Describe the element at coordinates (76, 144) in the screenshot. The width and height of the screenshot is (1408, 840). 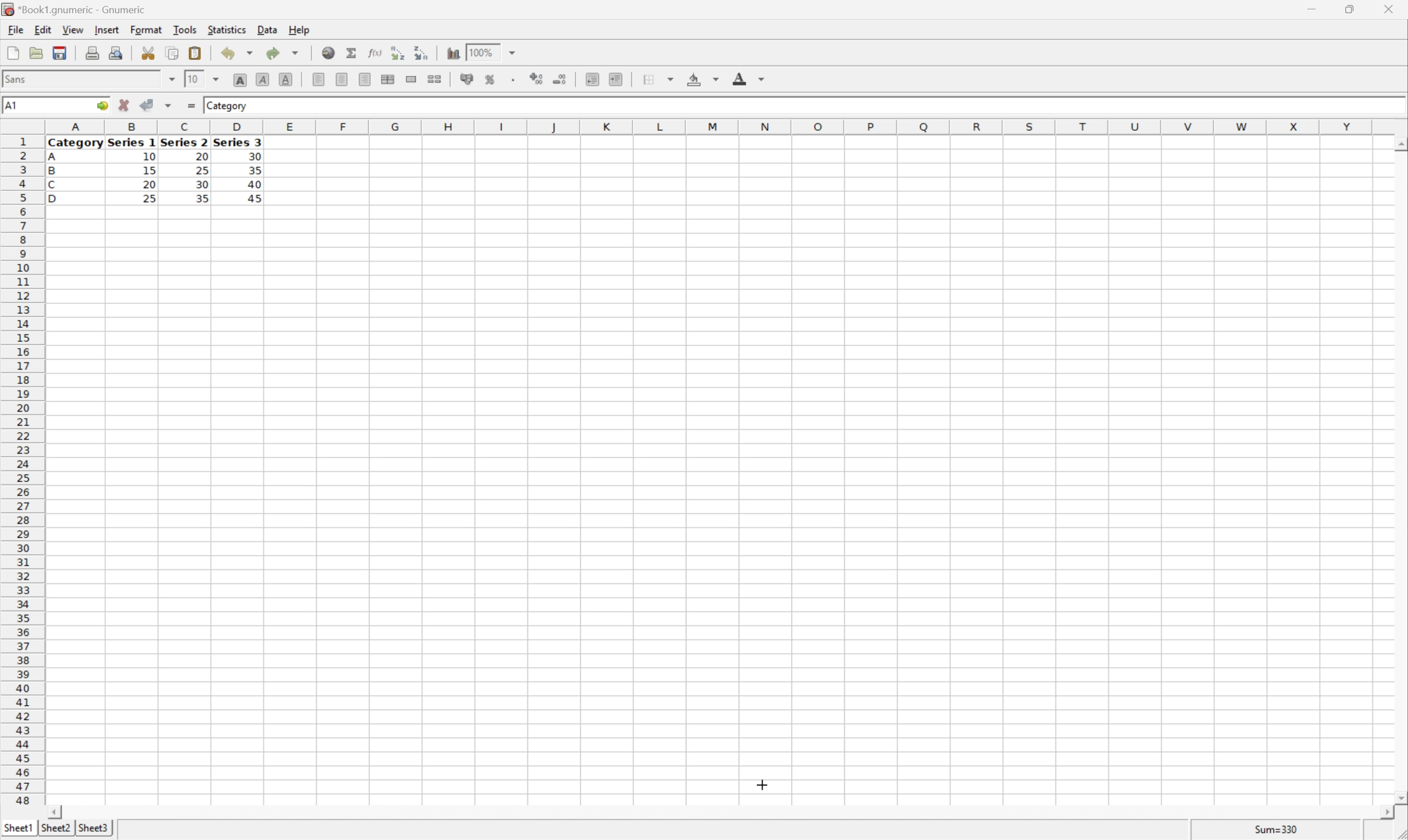
I see `Category` at that location.